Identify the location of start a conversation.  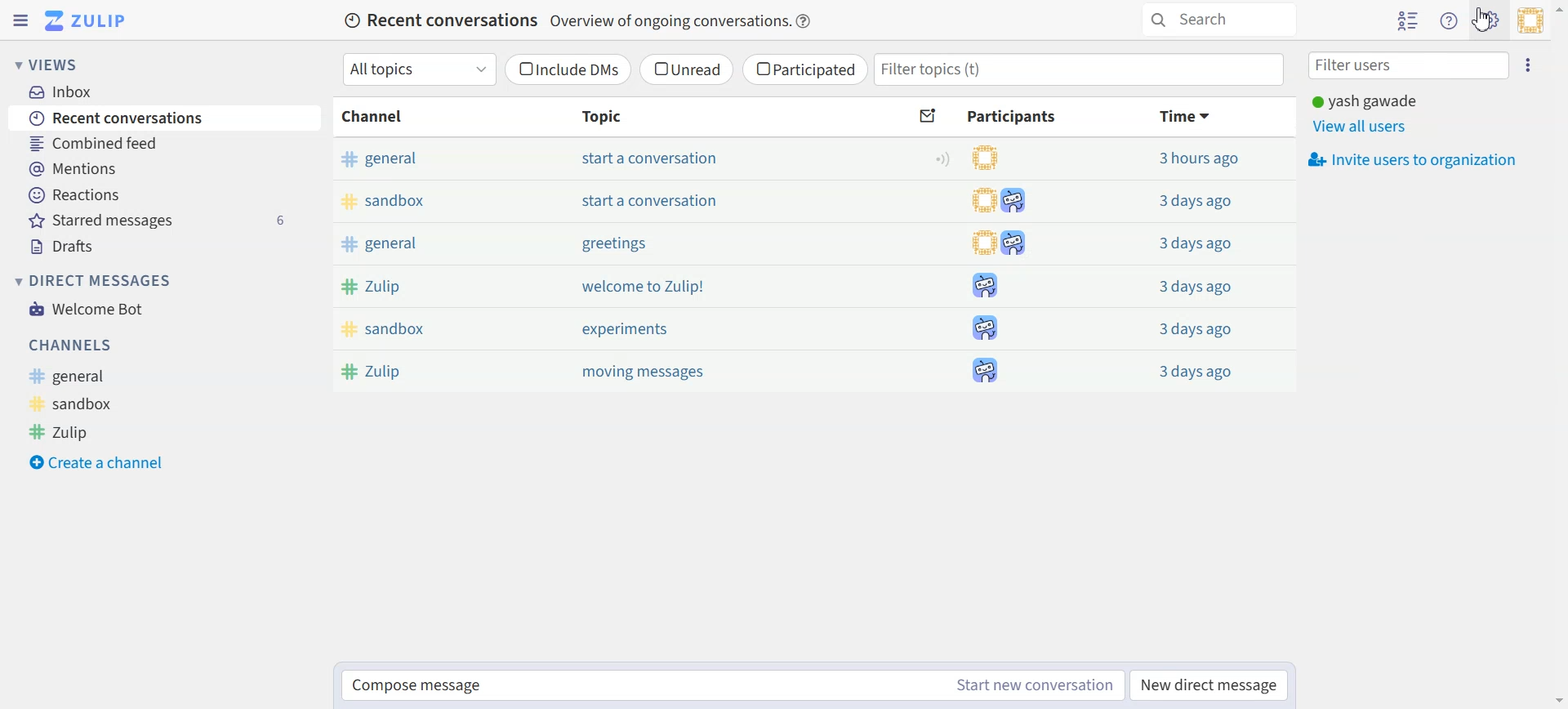
(654, 158).